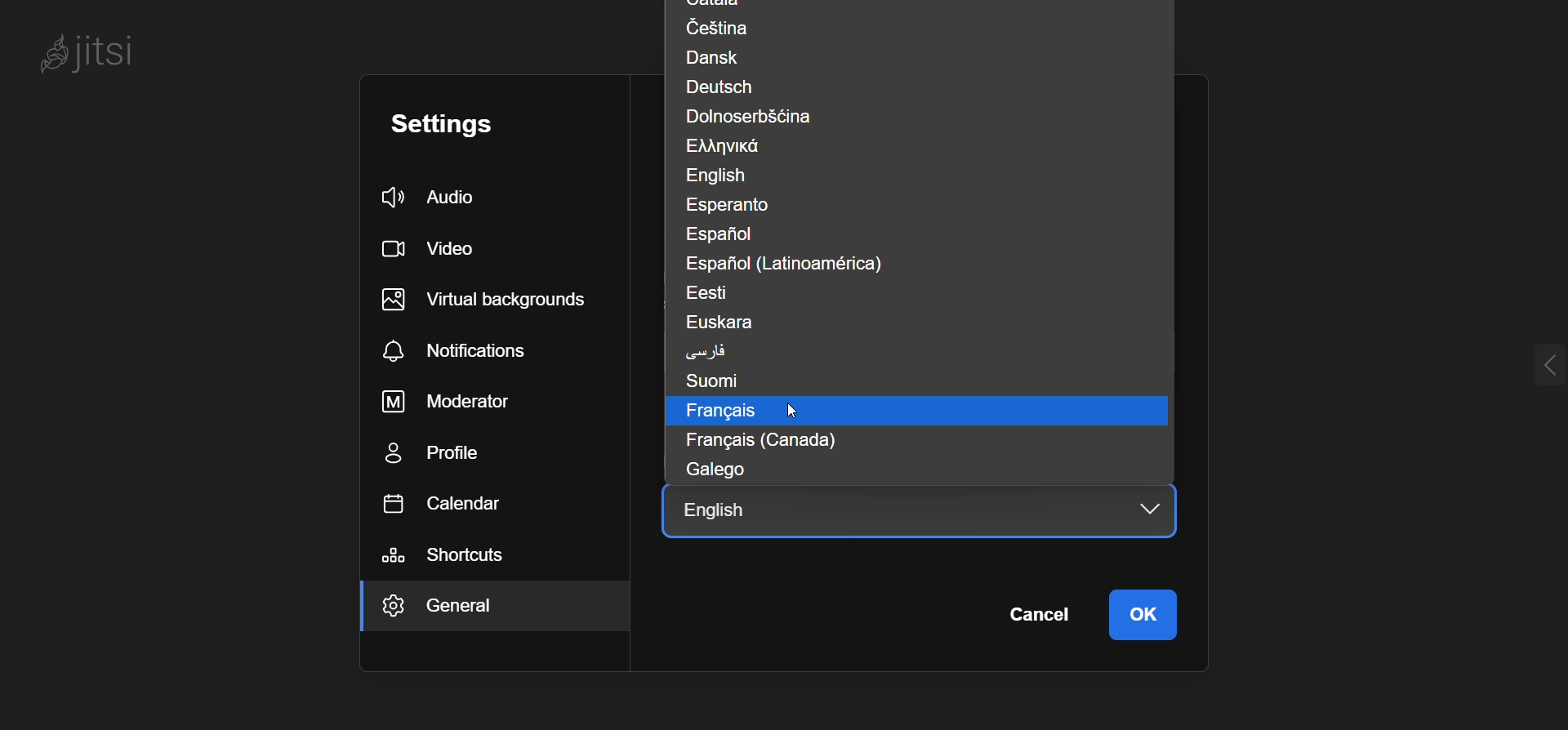 This screenshot has height=730, width=1568. What do you see at coordinates (460, 123) in the screenshot?
I see `settings` at bounding box center [460, 123].